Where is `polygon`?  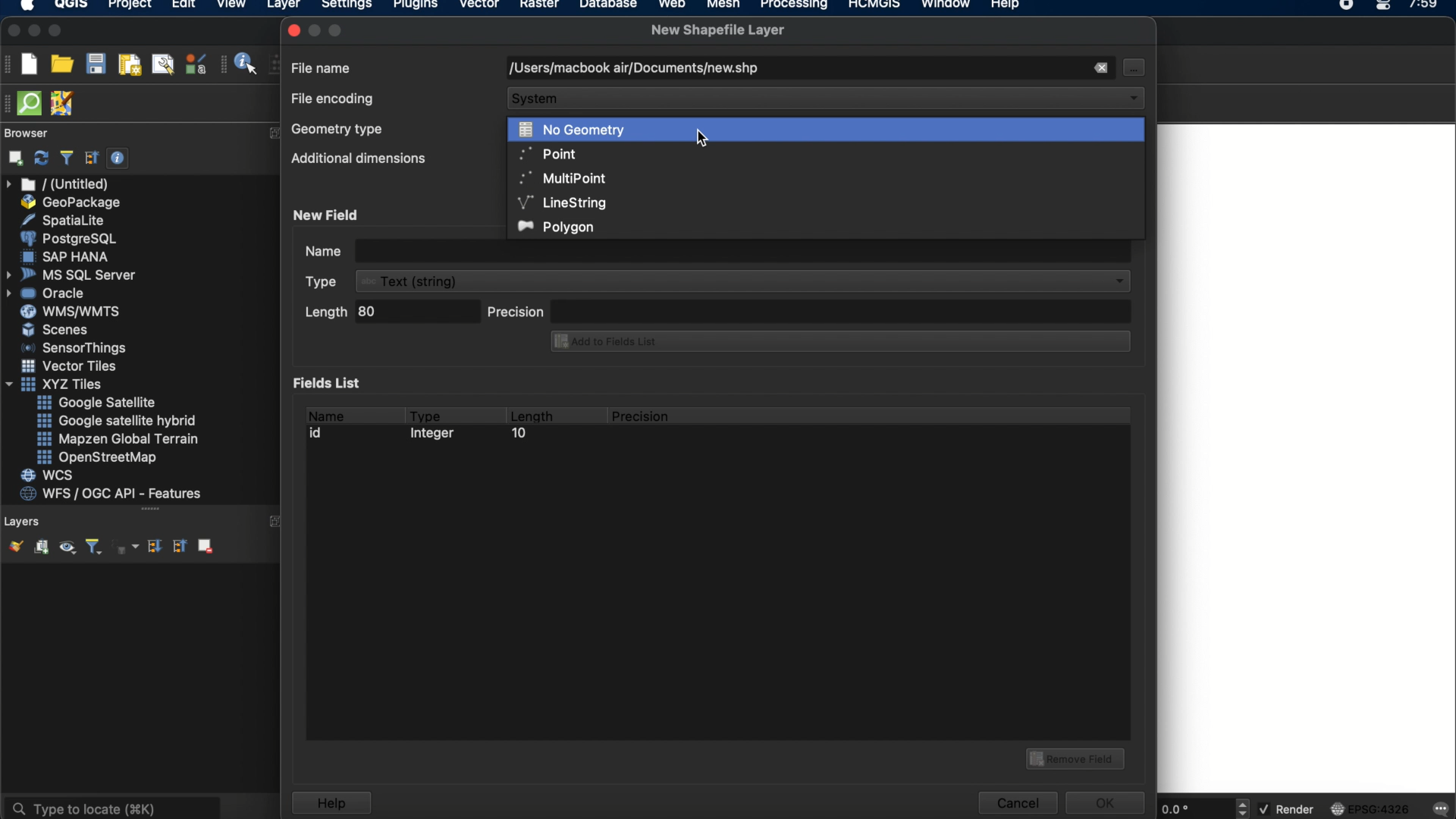
polygon is located at coordinates (558, 227).